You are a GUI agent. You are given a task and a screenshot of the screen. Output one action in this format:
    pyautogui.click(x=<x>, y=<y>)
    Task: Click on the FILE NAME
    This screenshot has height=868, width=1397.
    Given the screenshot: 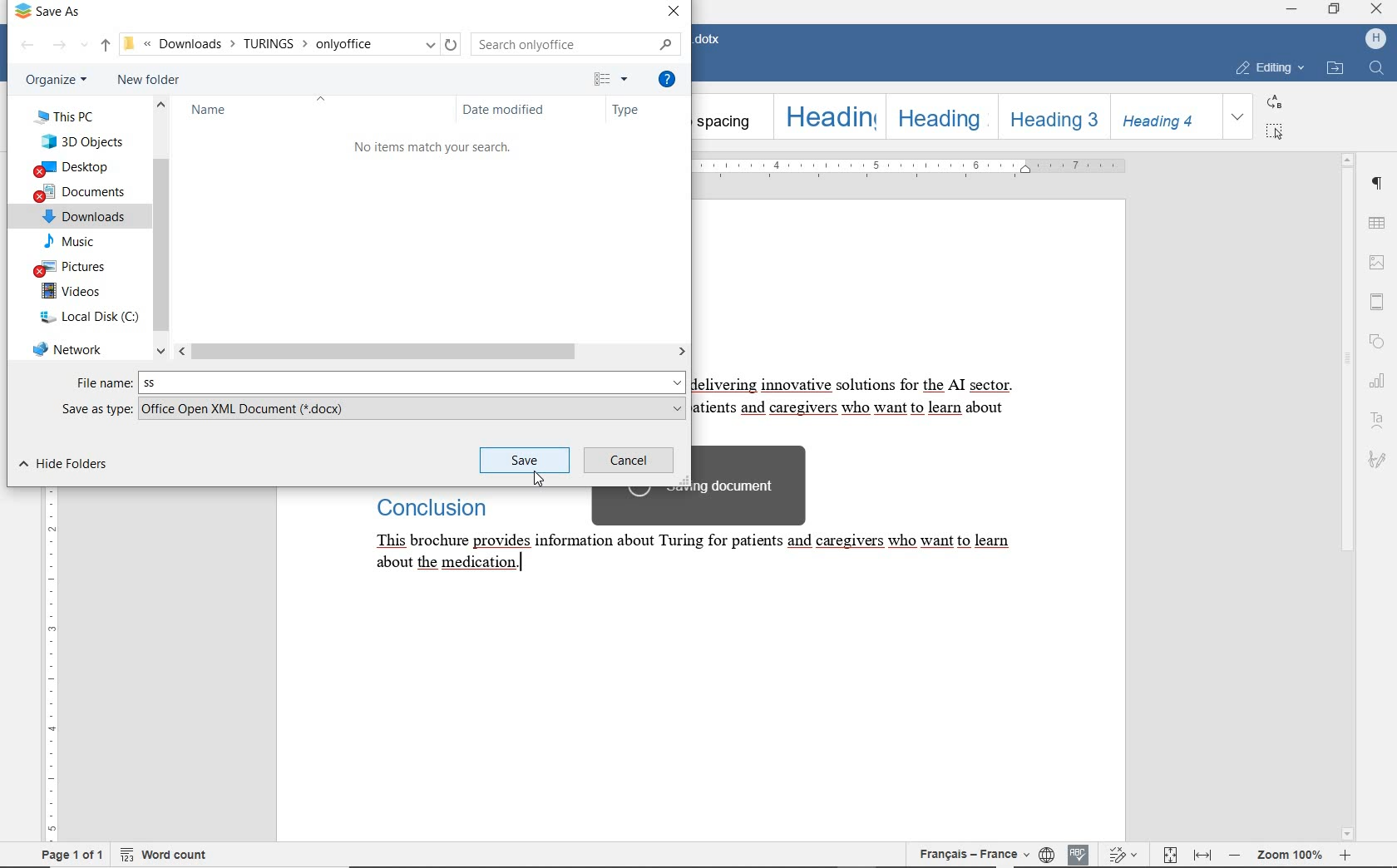 What is the action you would take?
    pyautogui.click(x=102, y=383)
    